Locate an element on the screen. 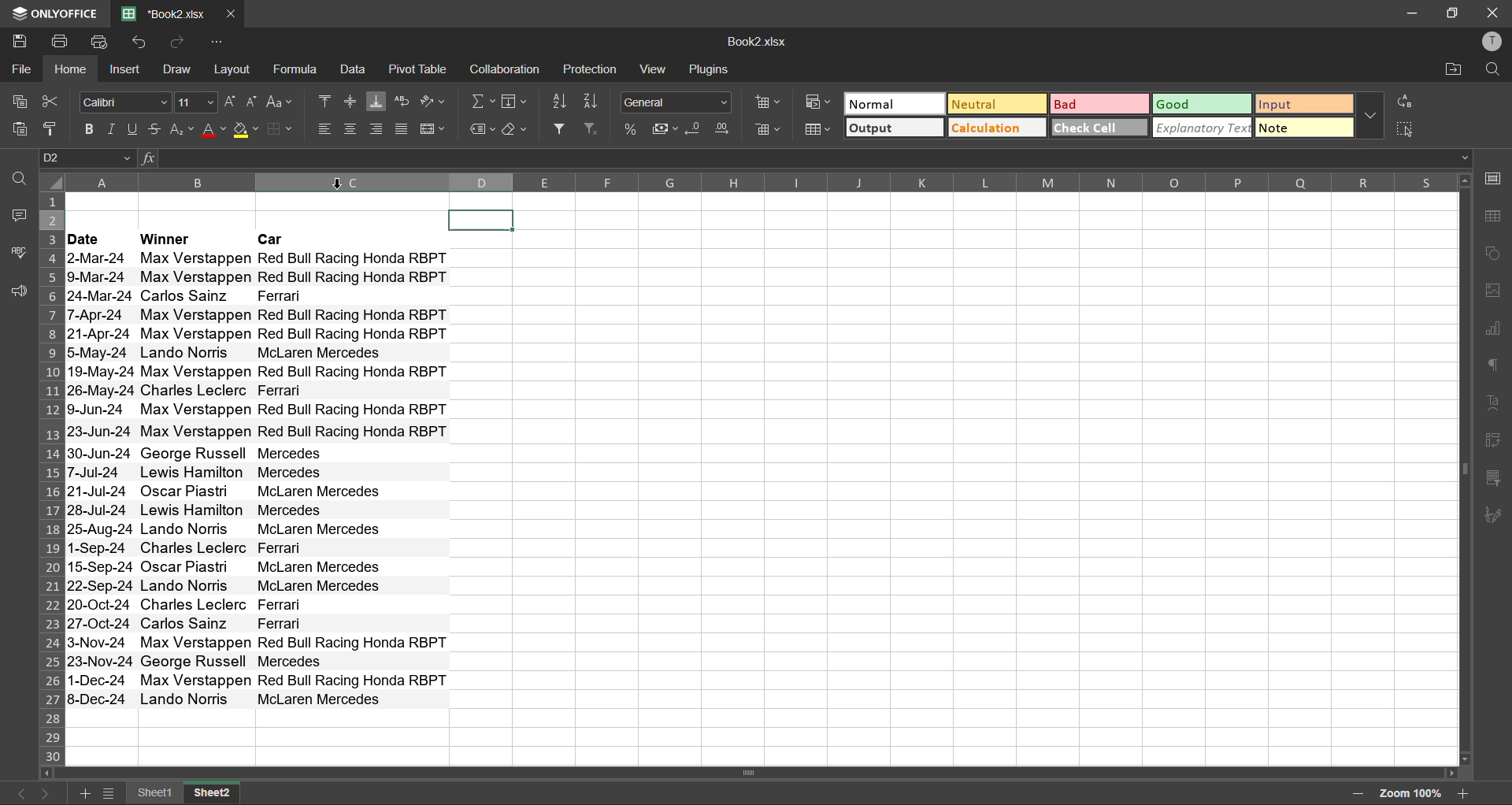 The image size is (1512, 805). ONLYOFFICE is located at coordinates (55, 12).